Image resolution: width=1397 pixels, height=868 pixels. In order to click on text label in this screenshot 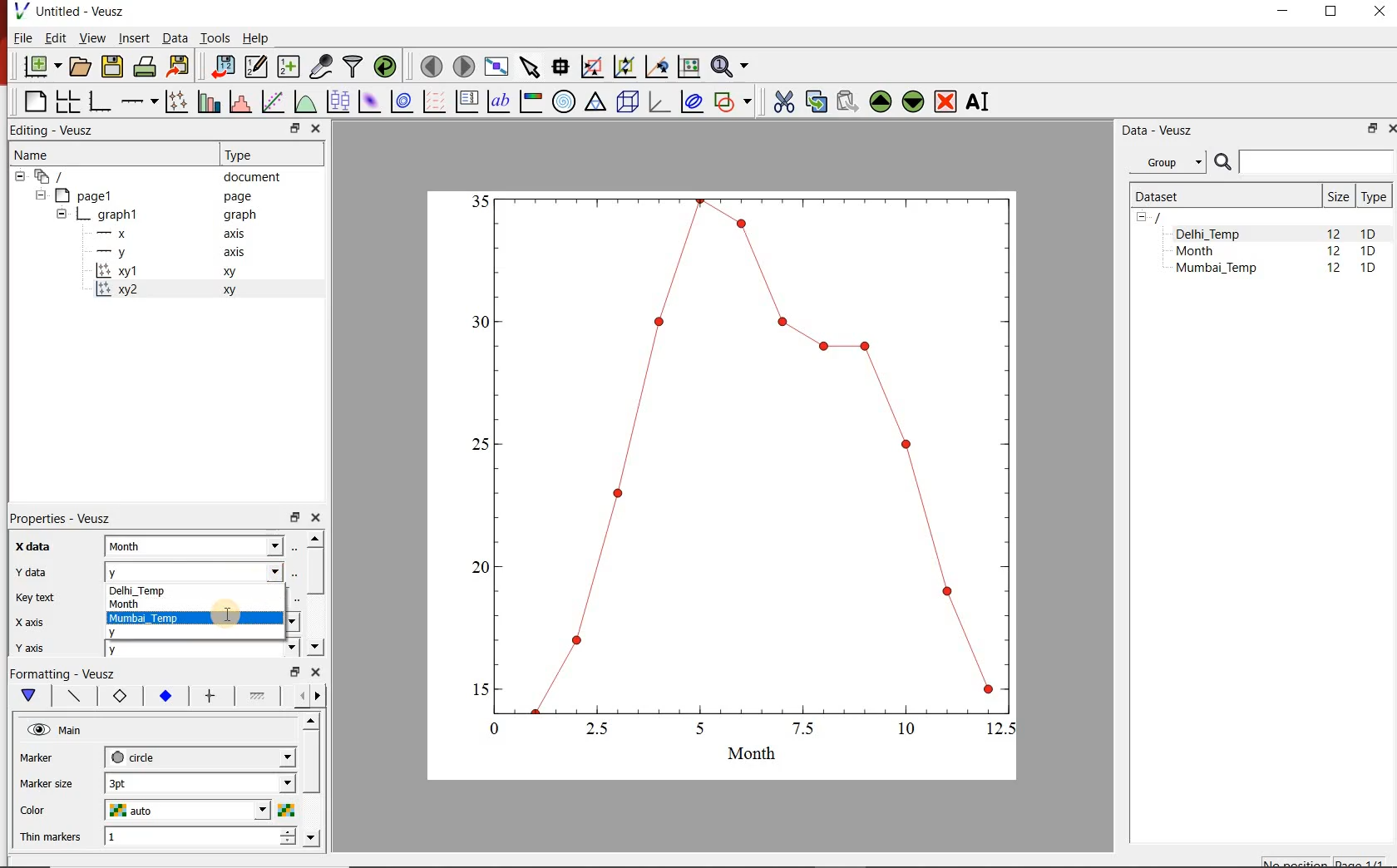, I will do `click(498, 101)`.